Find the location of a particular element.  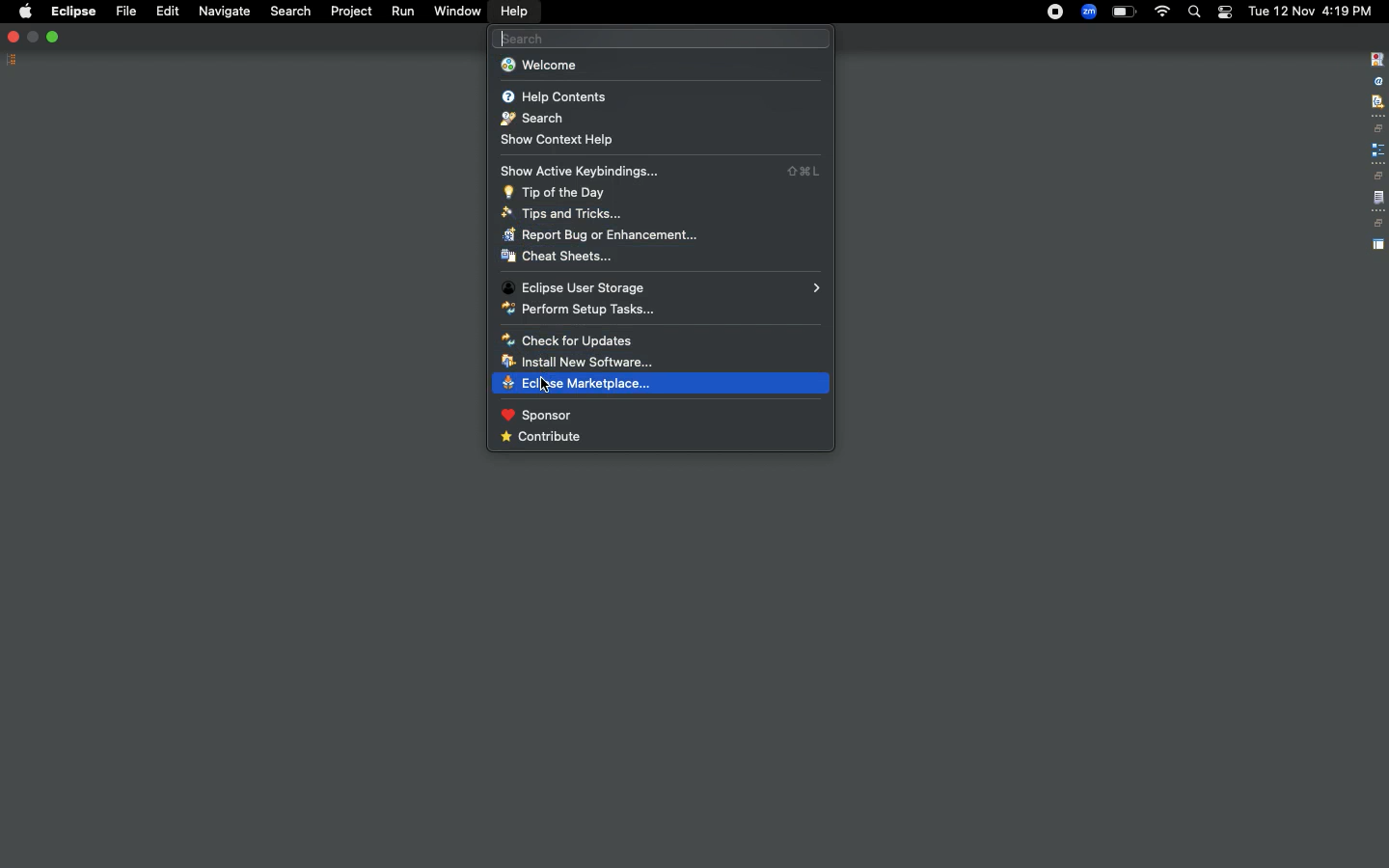

package explorer is located at coordinates (12, 57).